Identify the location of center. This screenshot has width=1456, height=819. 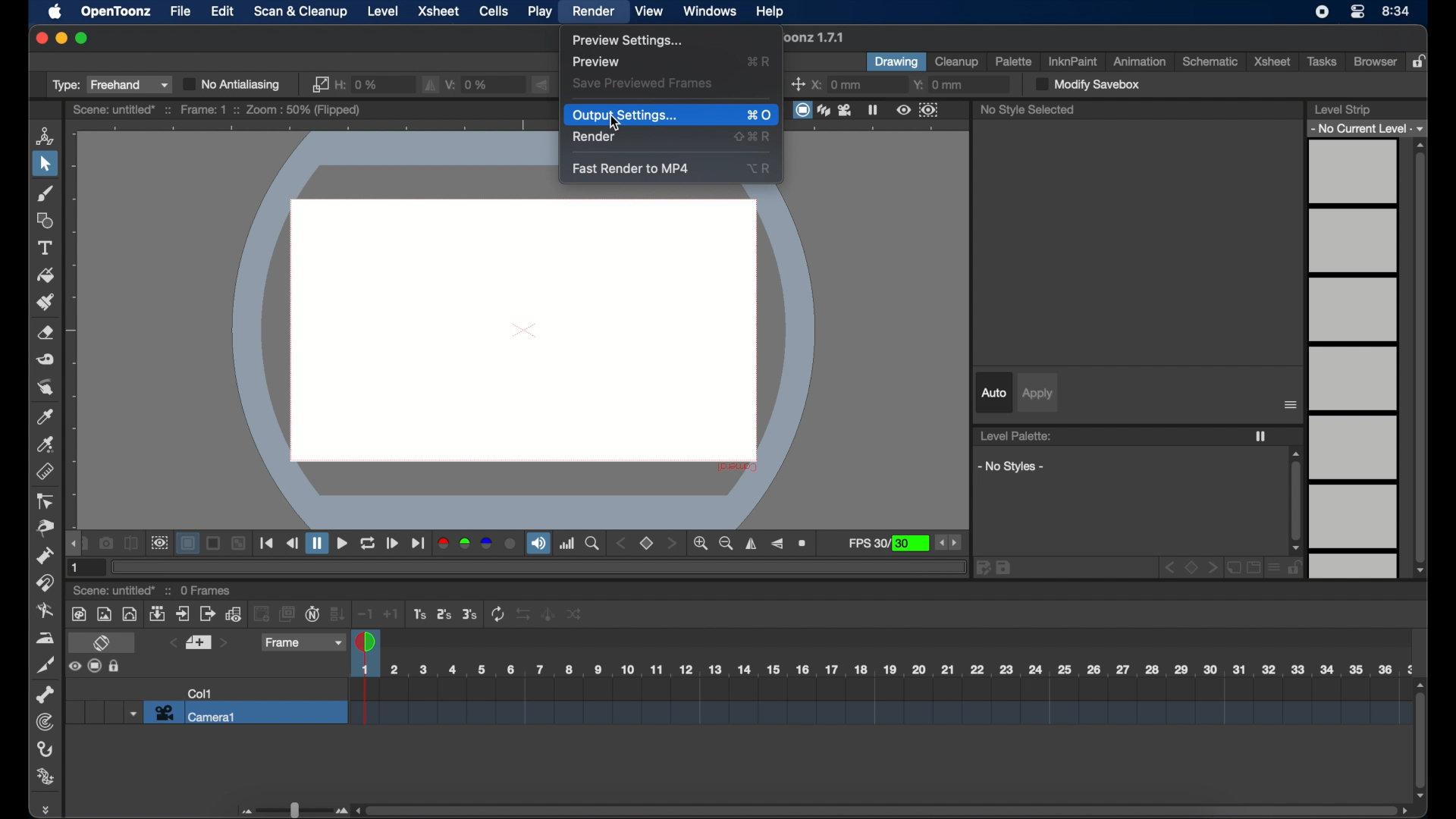
(798, 84).